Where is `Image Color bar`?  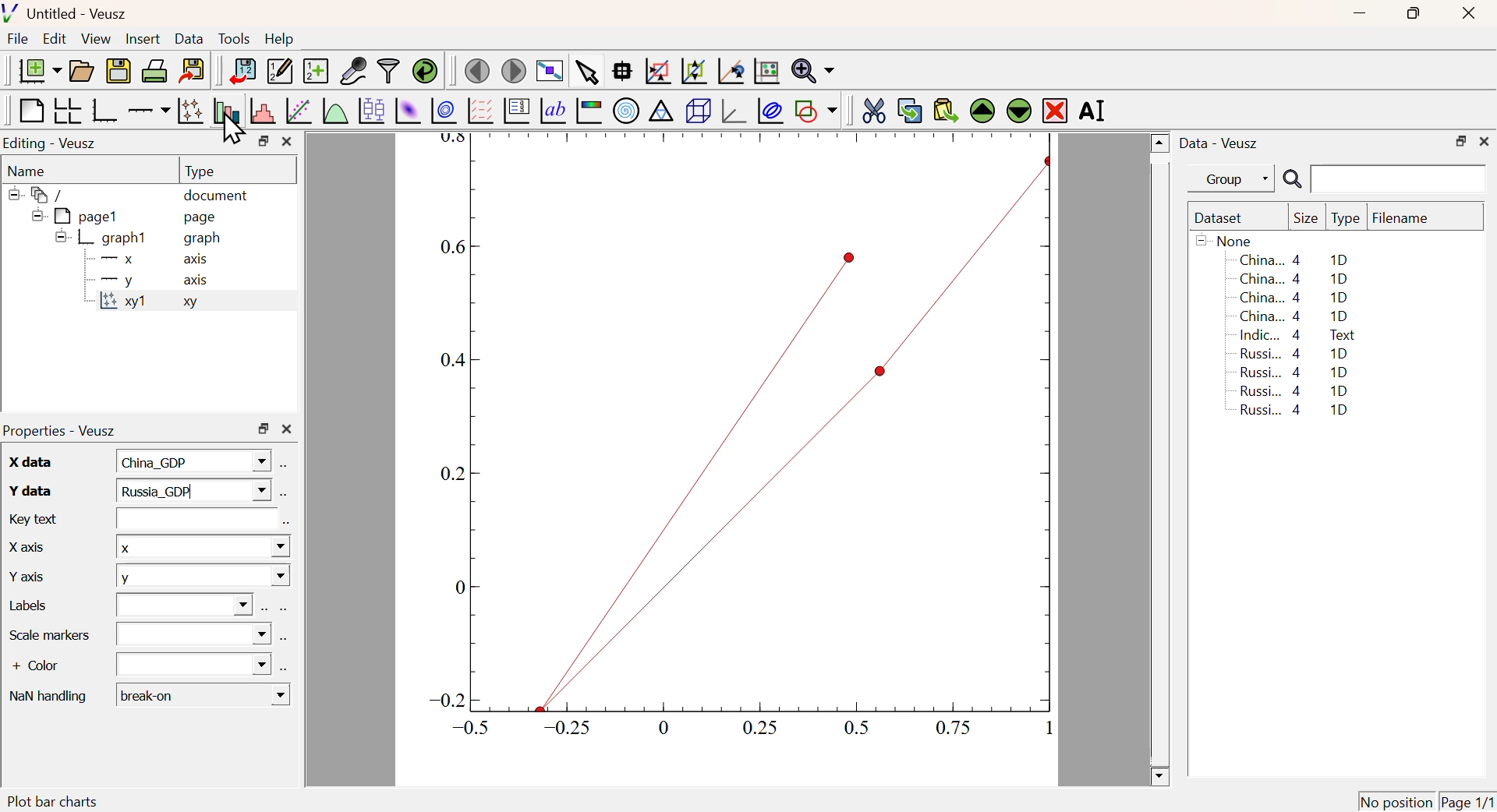
Image Color bar is located at coordinates (589, 111).